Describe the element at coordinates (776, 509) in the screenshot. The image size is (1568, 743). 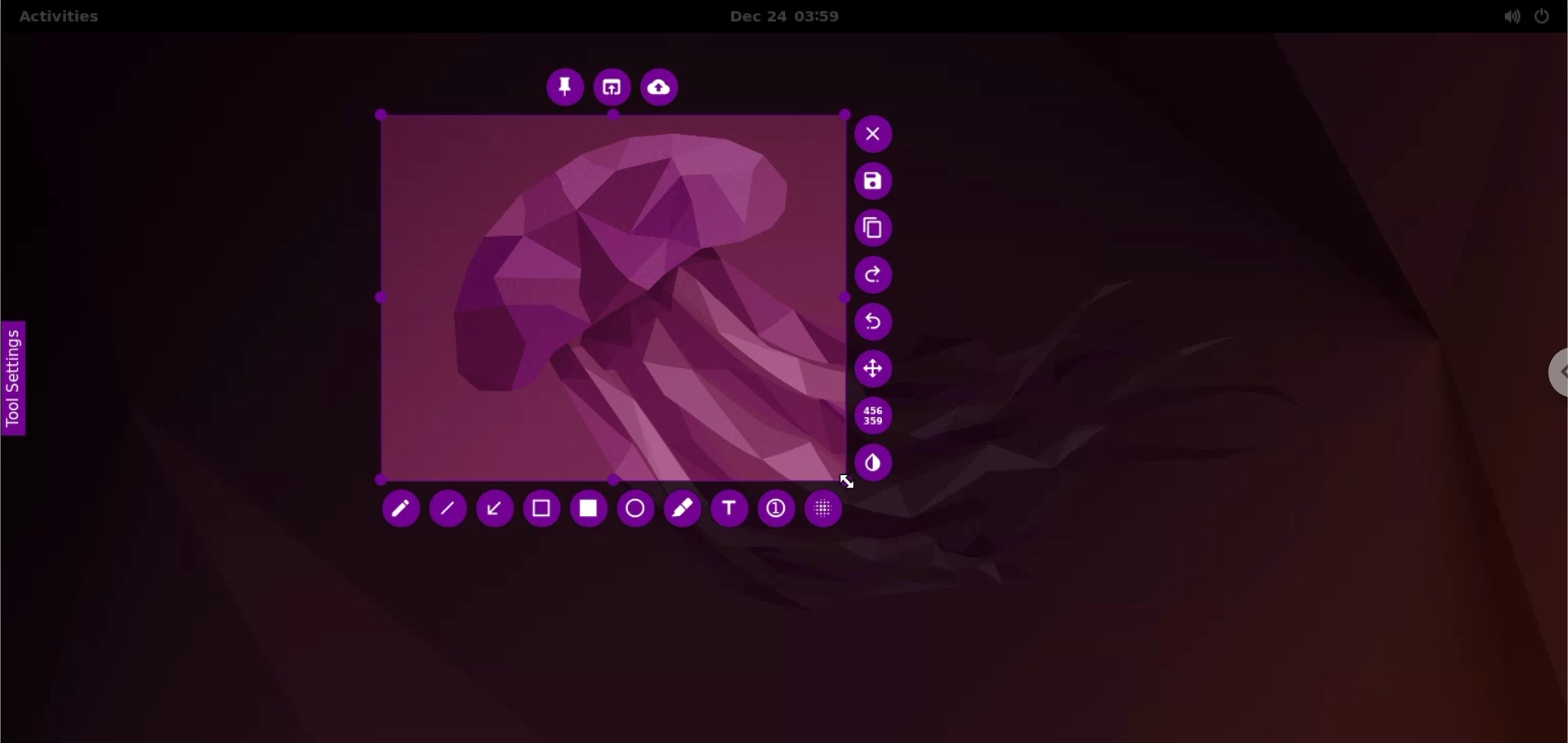
I see `auto increment` at that location.